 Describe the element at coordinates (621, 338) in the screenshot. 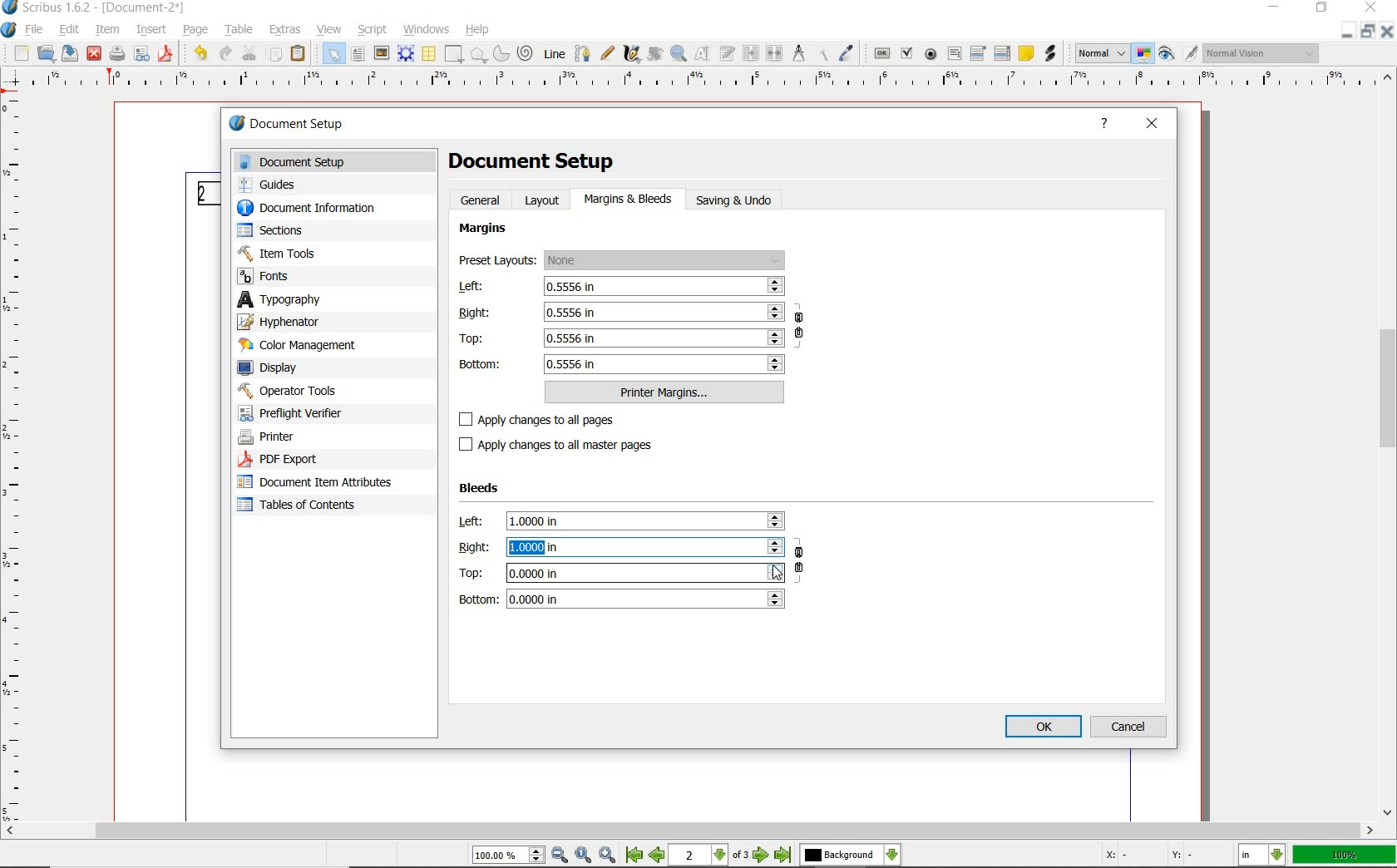

I see `Top` at that location.